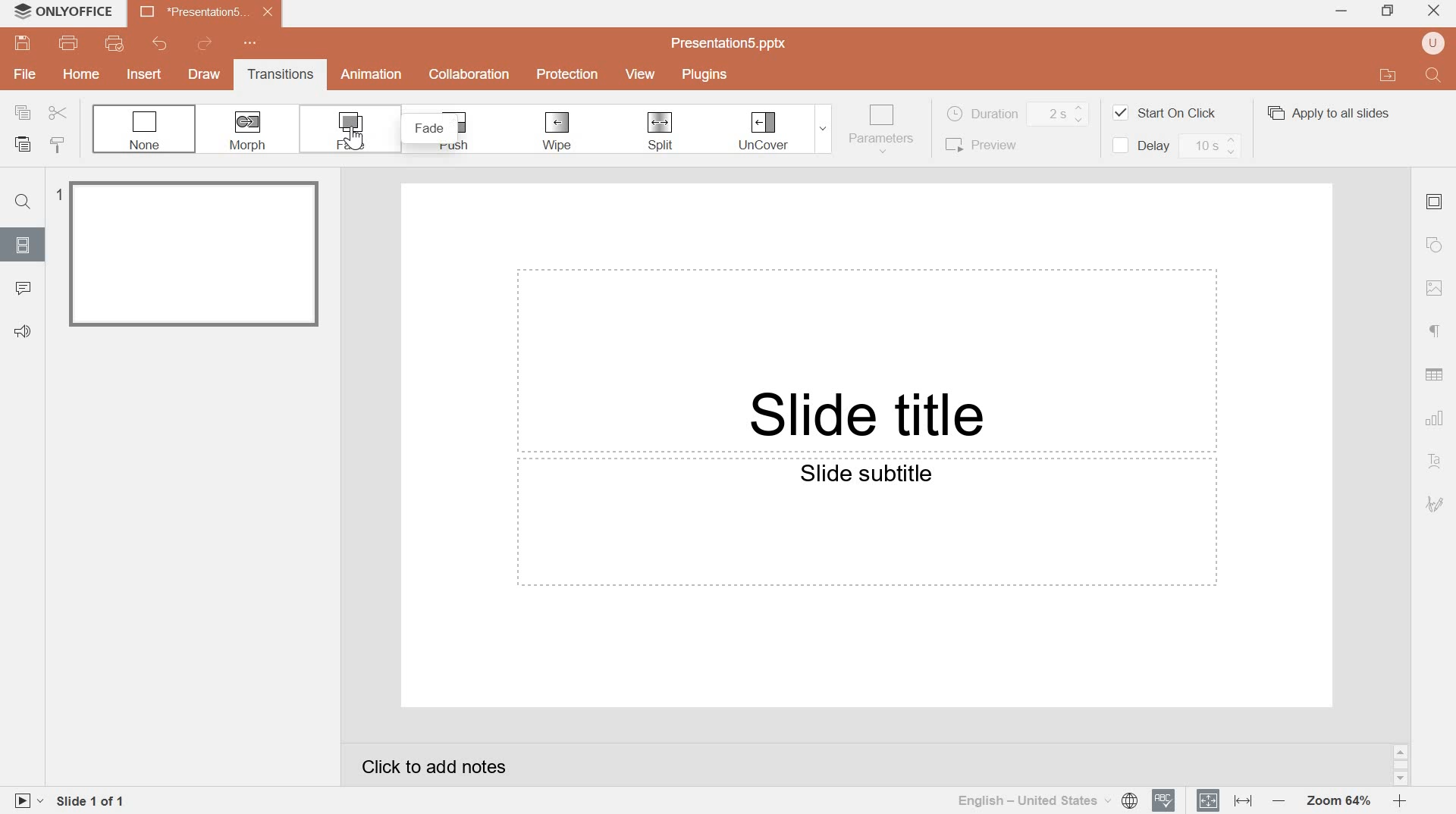 This screenshot has width=1456, height=814. I want to click on shape settings, so click(1432, 246).